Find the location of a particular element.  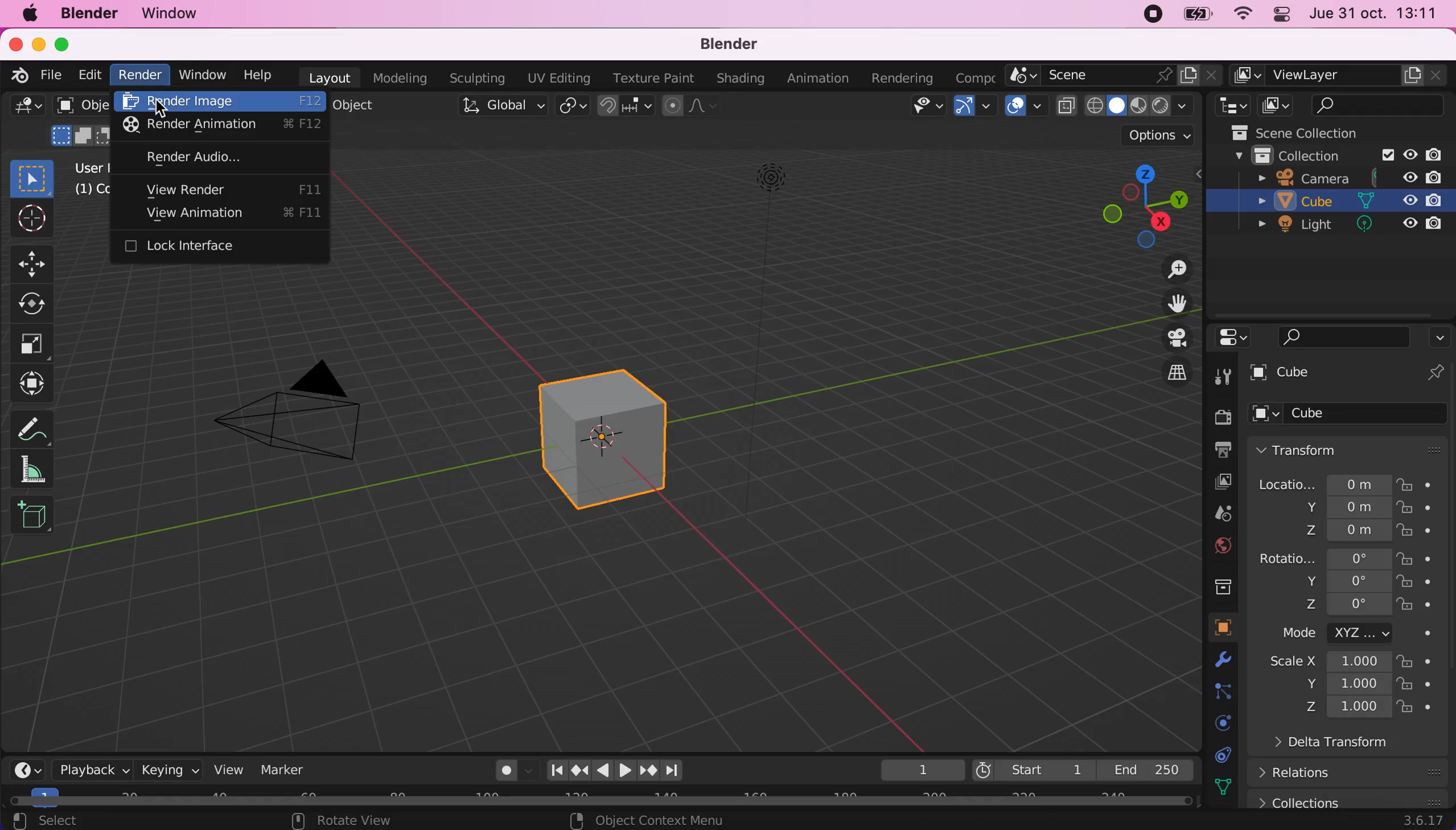

object is located at coordinates (355, 105).